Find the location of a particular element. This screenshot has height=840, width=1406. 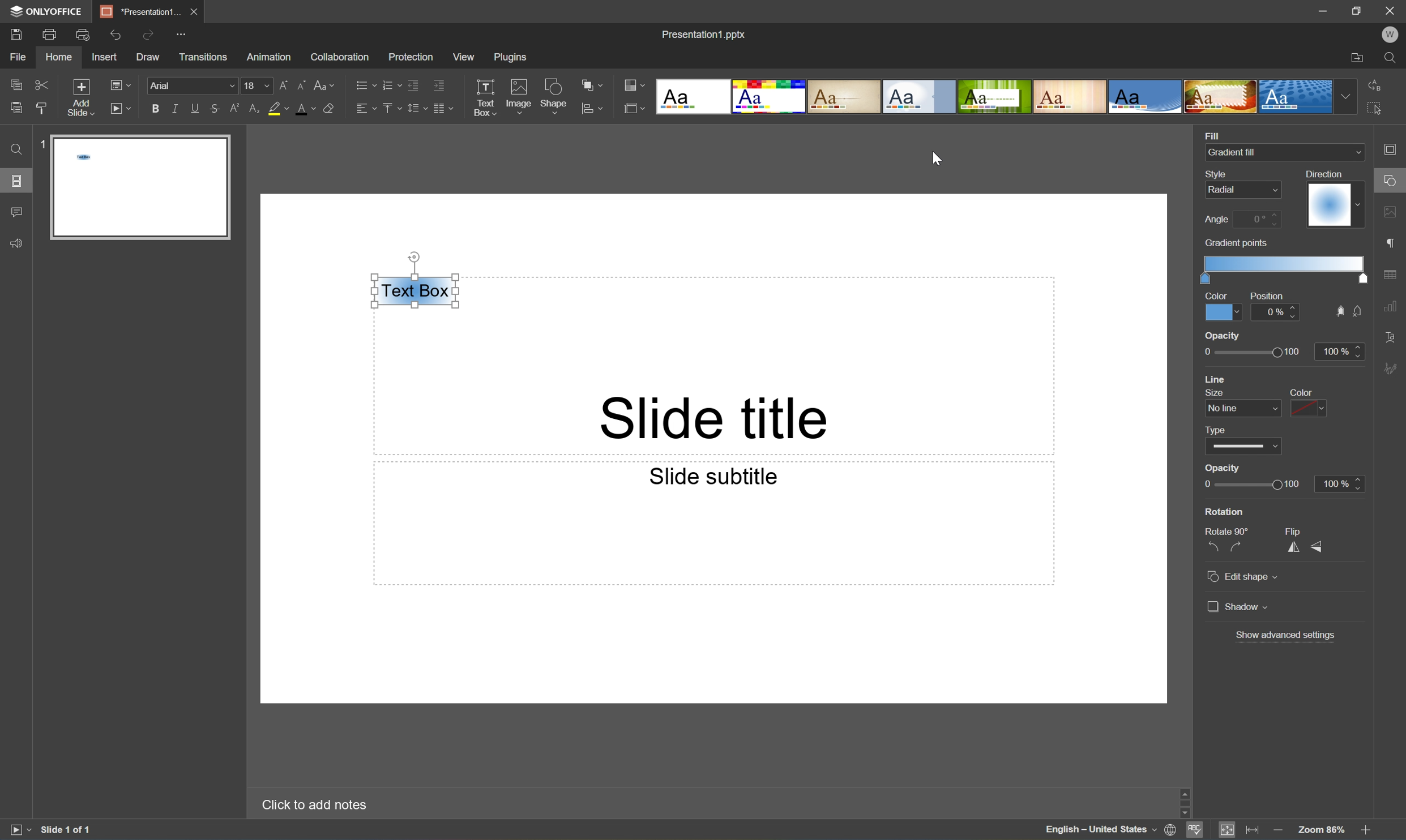

ONLYOFFICE is located at coordinates (46, 12).